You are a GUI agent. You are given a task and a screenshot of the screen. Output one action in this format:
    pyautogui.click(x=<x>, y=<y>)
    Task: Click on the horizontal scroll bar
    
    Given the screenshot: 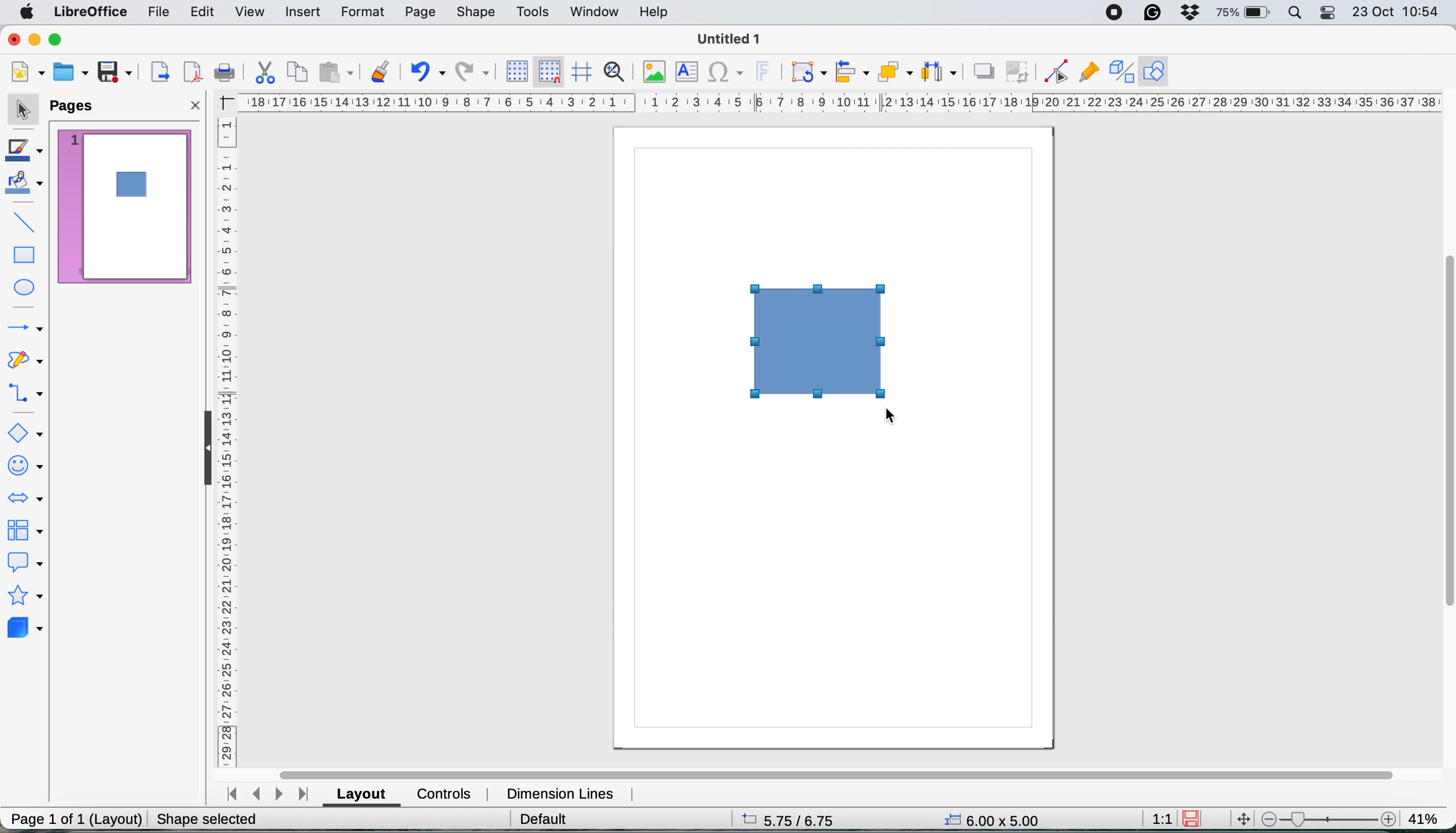 What is the action you would take?
    pyautogui.click(x=837, y=768)
    